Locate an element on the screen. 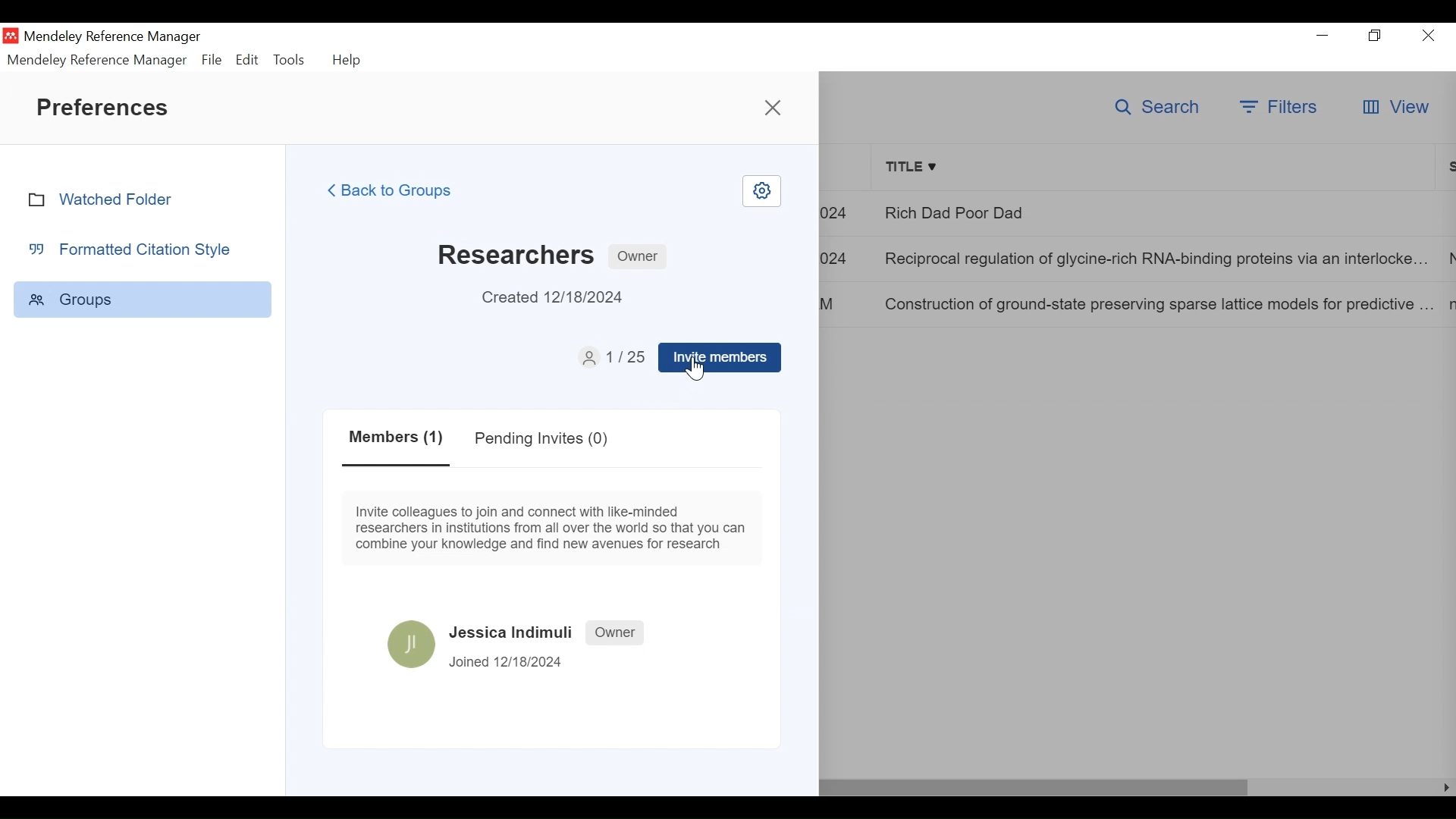 The image size is (1456, 819). Joined 12/18/2024 is located at coordinates (509, 661).